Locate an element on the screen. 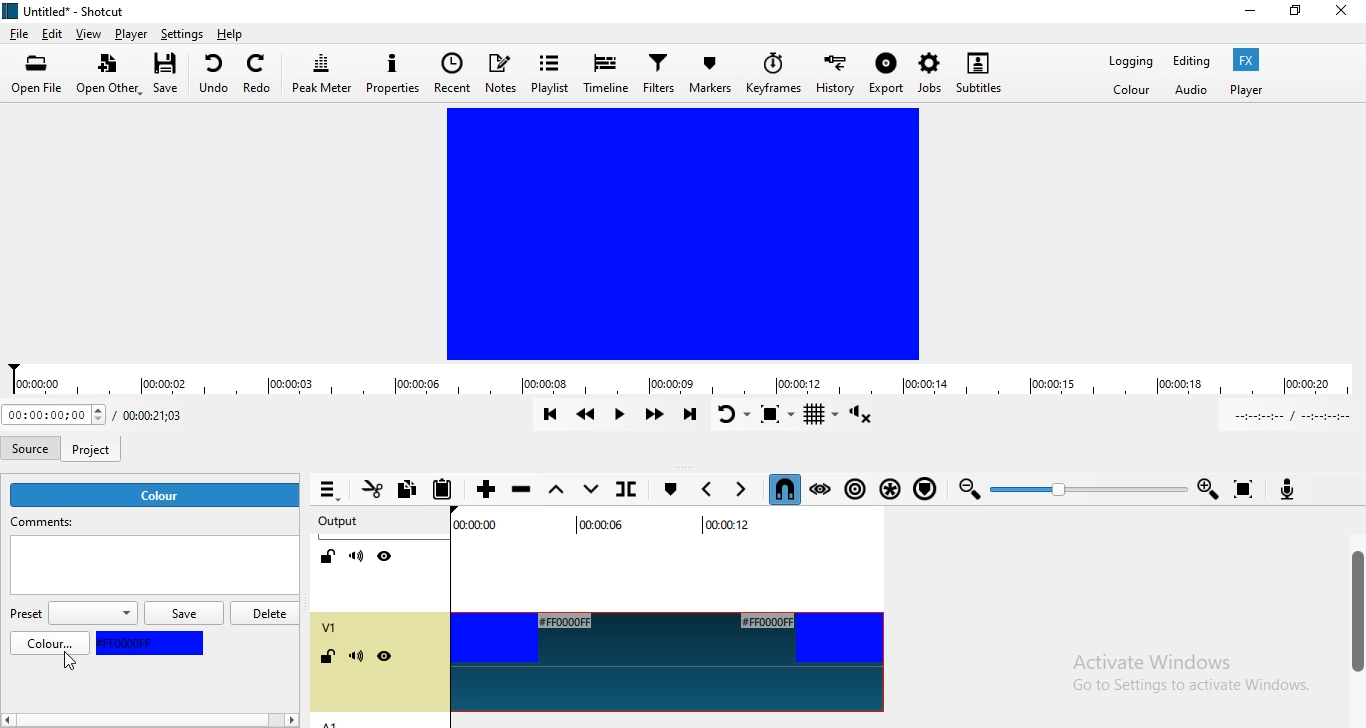 Image resolution: width=1366 pixels, height=728 pixels. Hide is located at coordinates (384, 556).